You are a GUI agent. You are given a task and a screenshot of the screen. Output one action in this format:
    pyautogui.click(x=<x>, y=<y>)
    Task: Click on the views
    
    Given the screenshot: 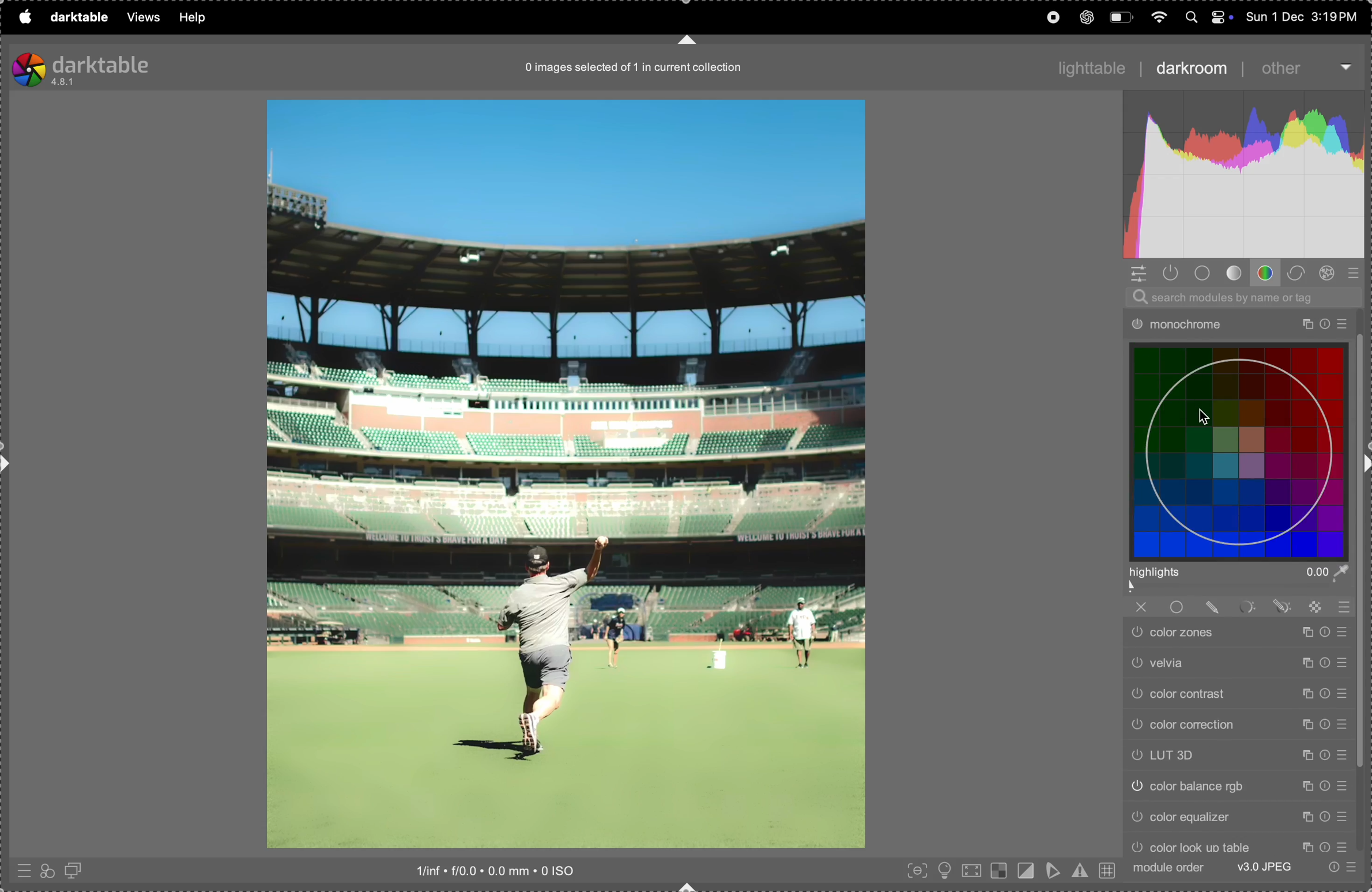 What is the action you would take?
    pyautogui.click(x=142, y=17)
    